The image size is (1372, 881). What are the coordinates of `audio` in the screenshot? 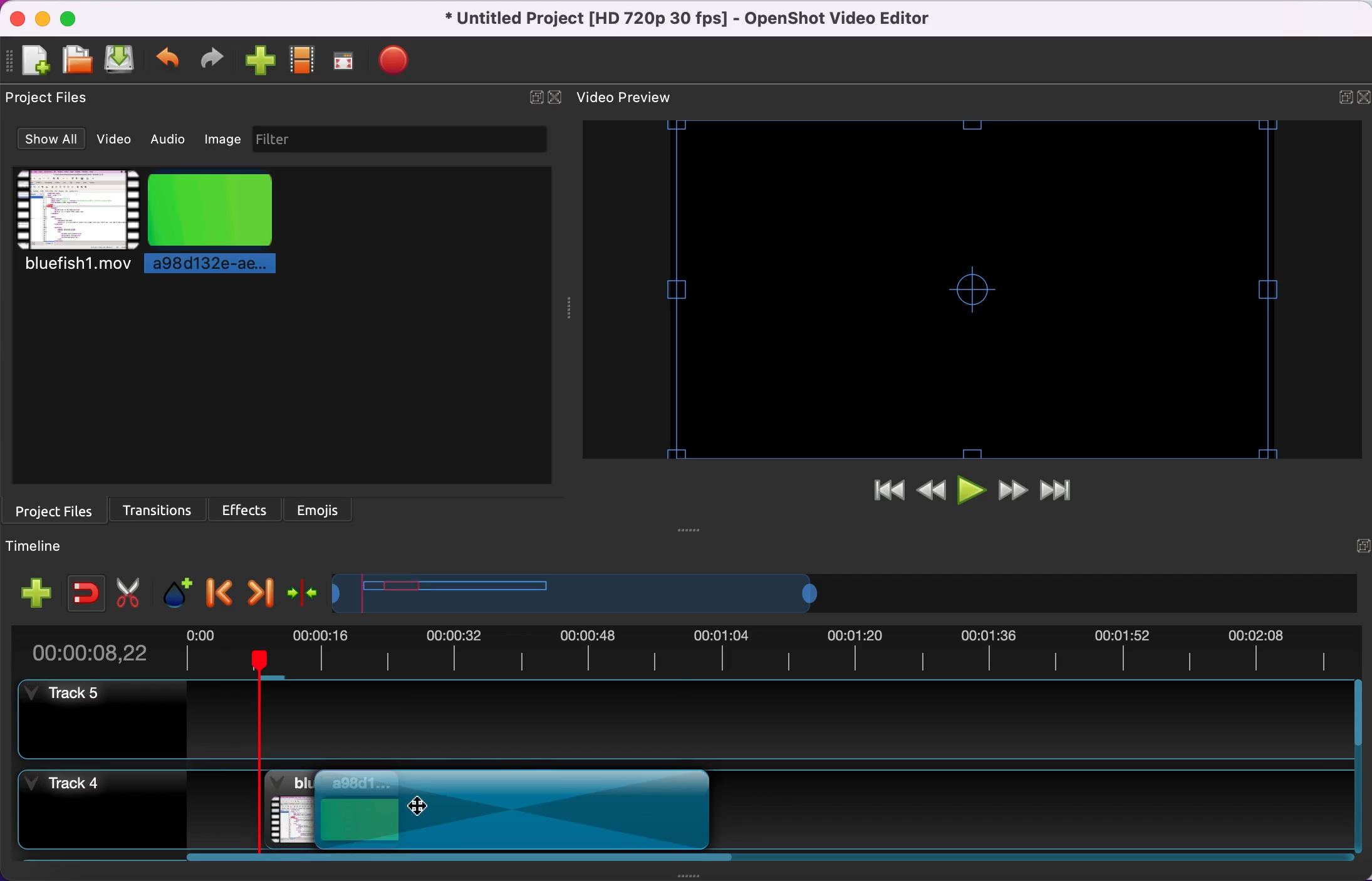 It's located at (167, 140).